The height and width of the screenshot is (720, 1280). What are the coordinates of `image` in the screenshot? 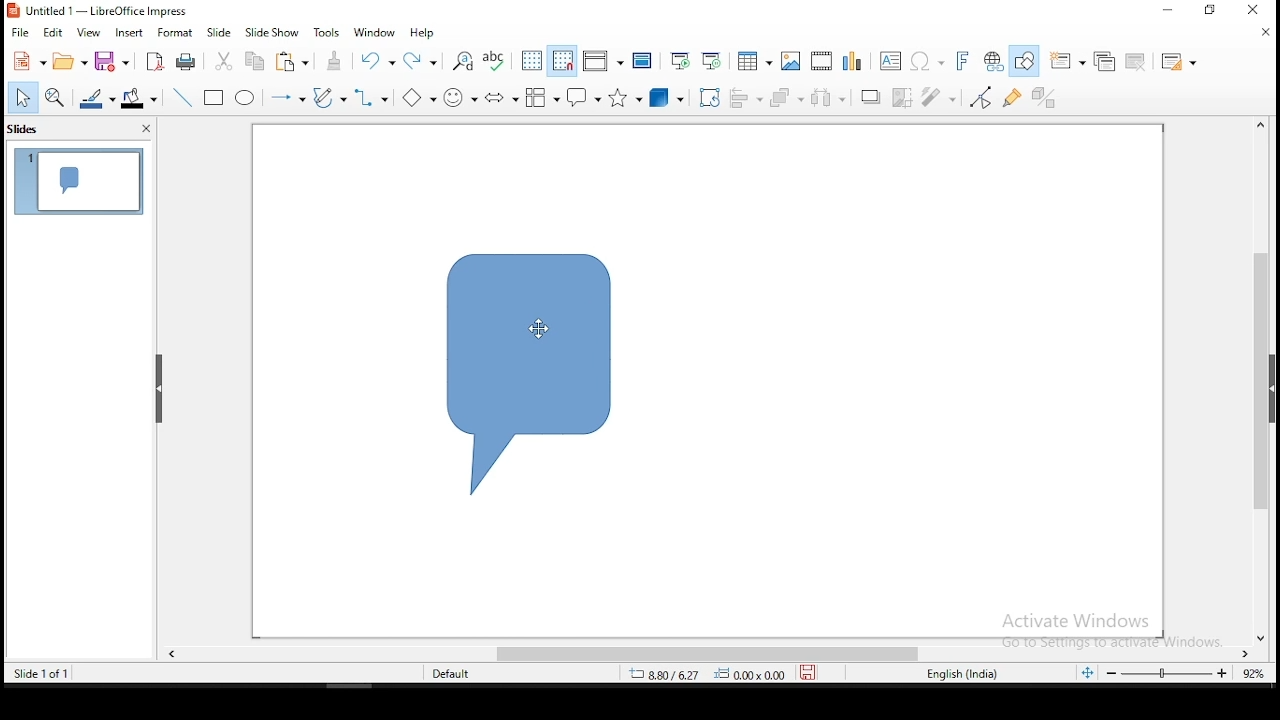 It's located at (789, 61).